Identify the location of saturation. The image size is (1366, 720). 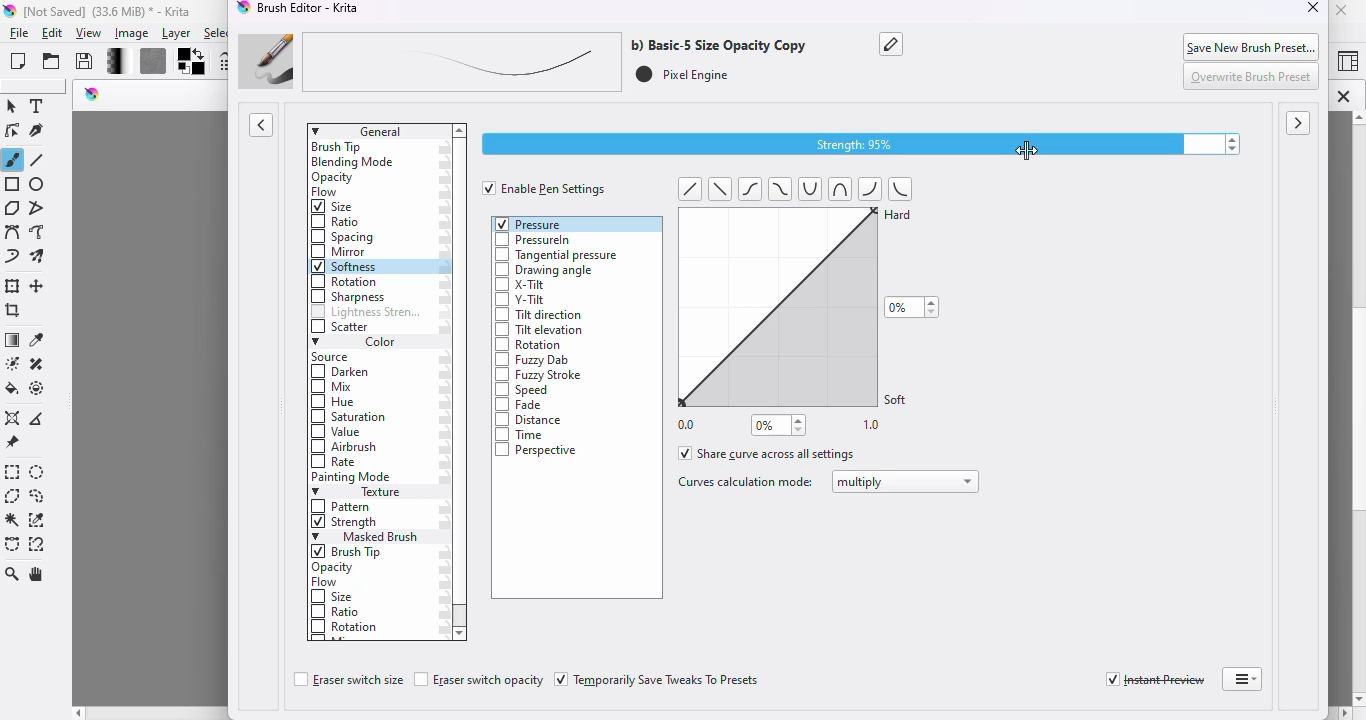
(350, 418).